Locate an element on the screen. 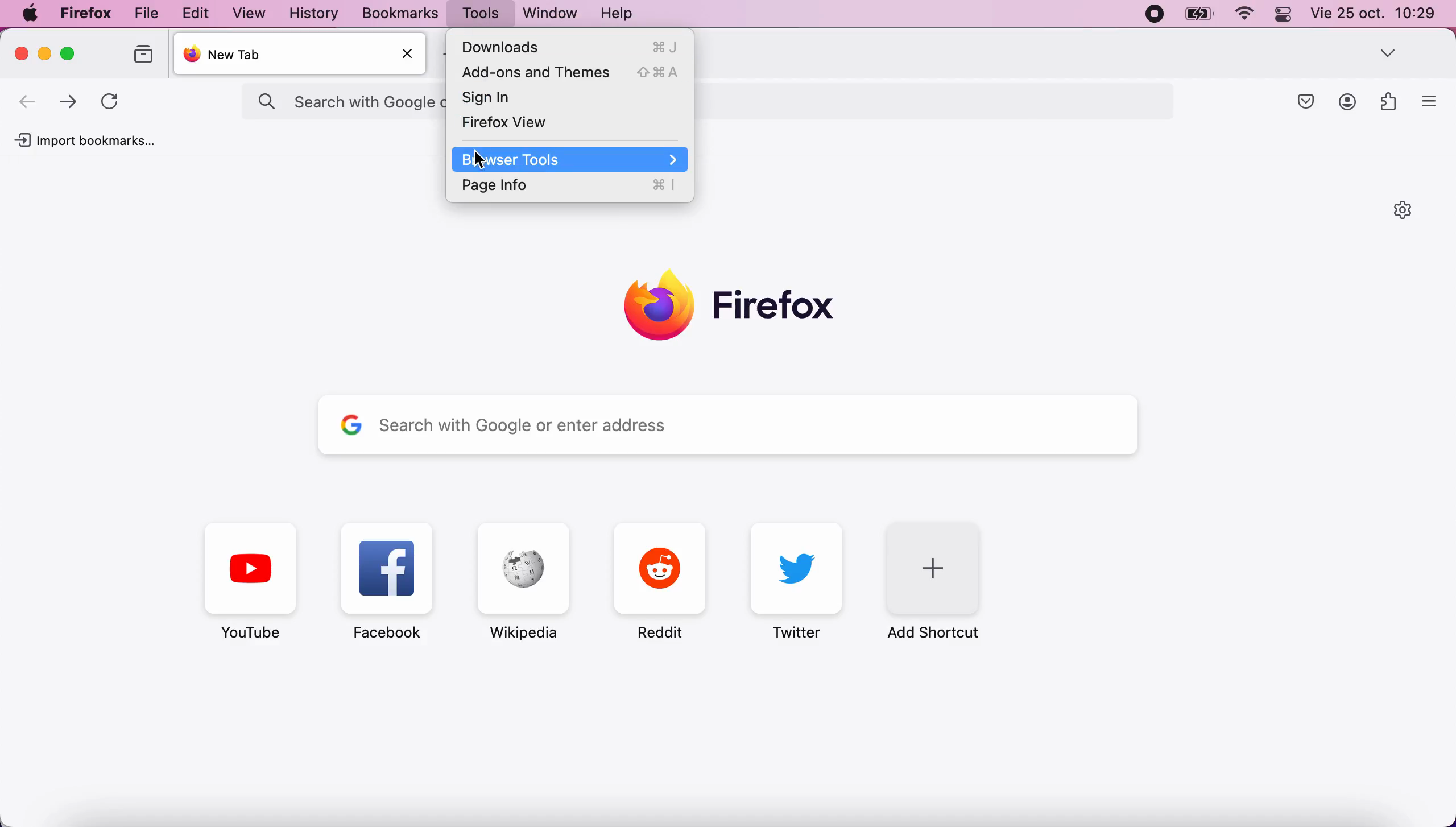 This screenshot has width=1456, height=827. Downloads is located at coordinates (570, 47).